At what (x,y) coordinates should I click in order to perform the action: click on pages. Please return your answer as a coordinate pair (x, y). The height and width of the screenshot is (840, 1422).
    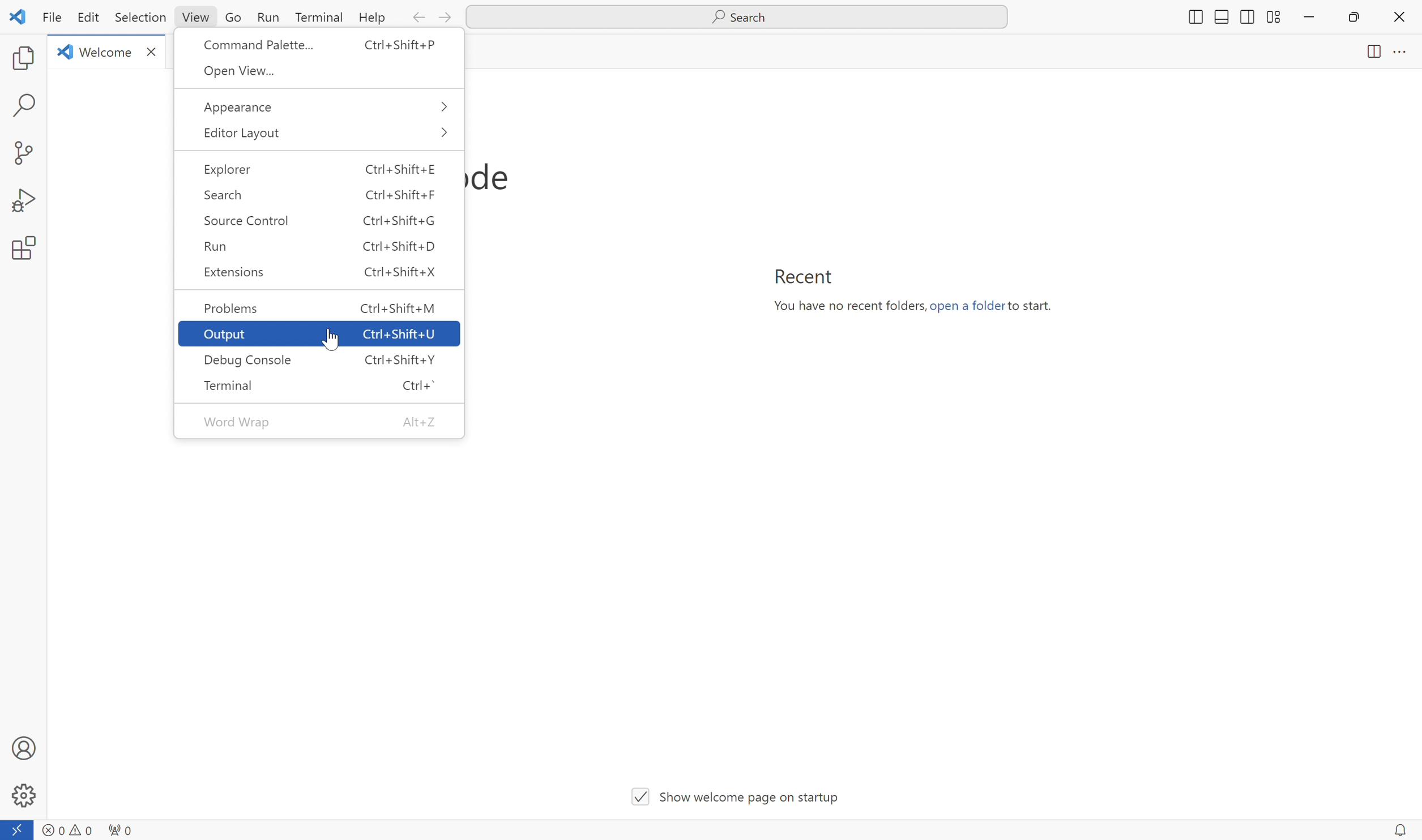
    Looking at the image, I should click on (1356, 57).